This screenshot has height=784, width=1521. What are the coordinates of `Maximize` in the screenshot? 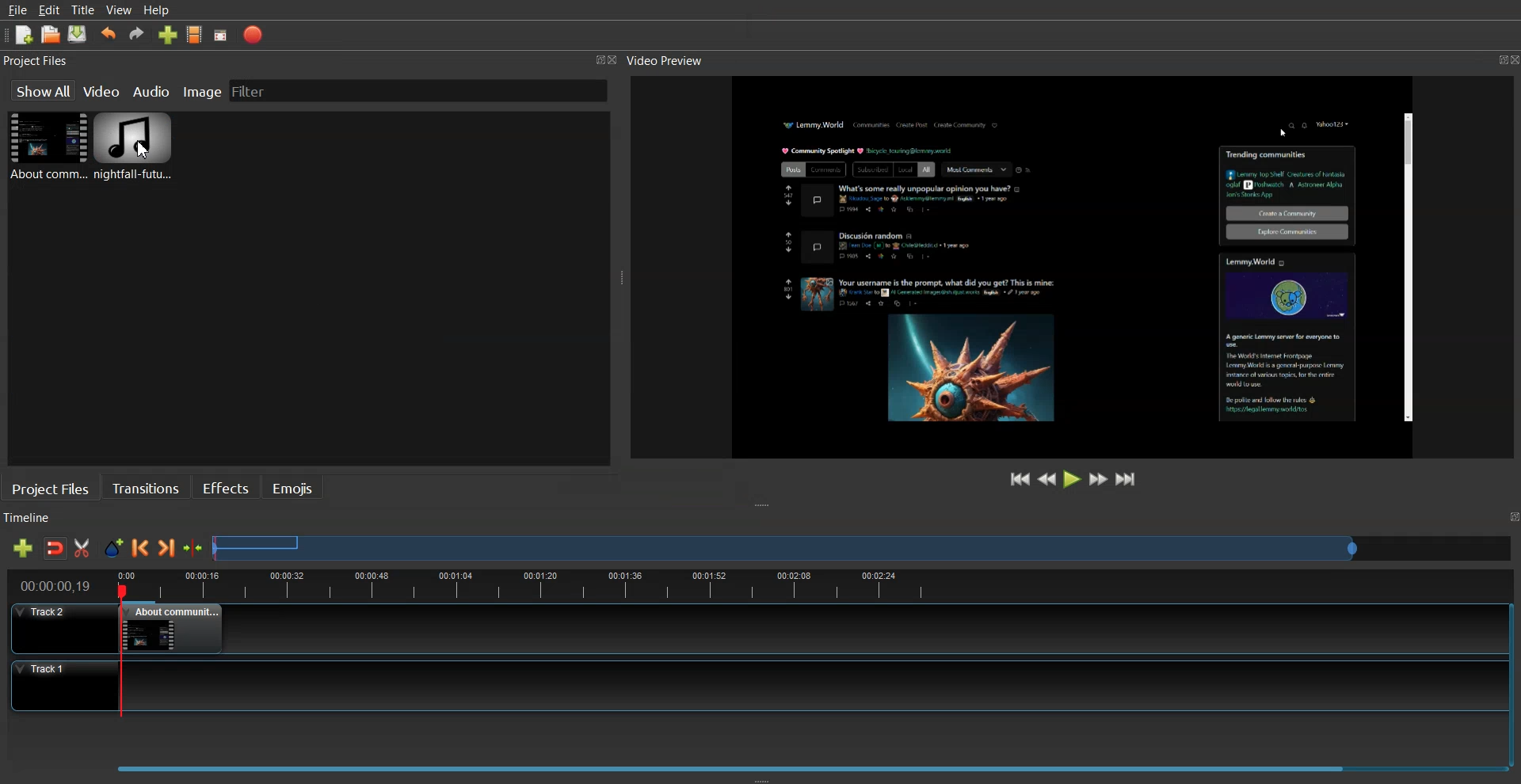 It's located at (1492, 57).